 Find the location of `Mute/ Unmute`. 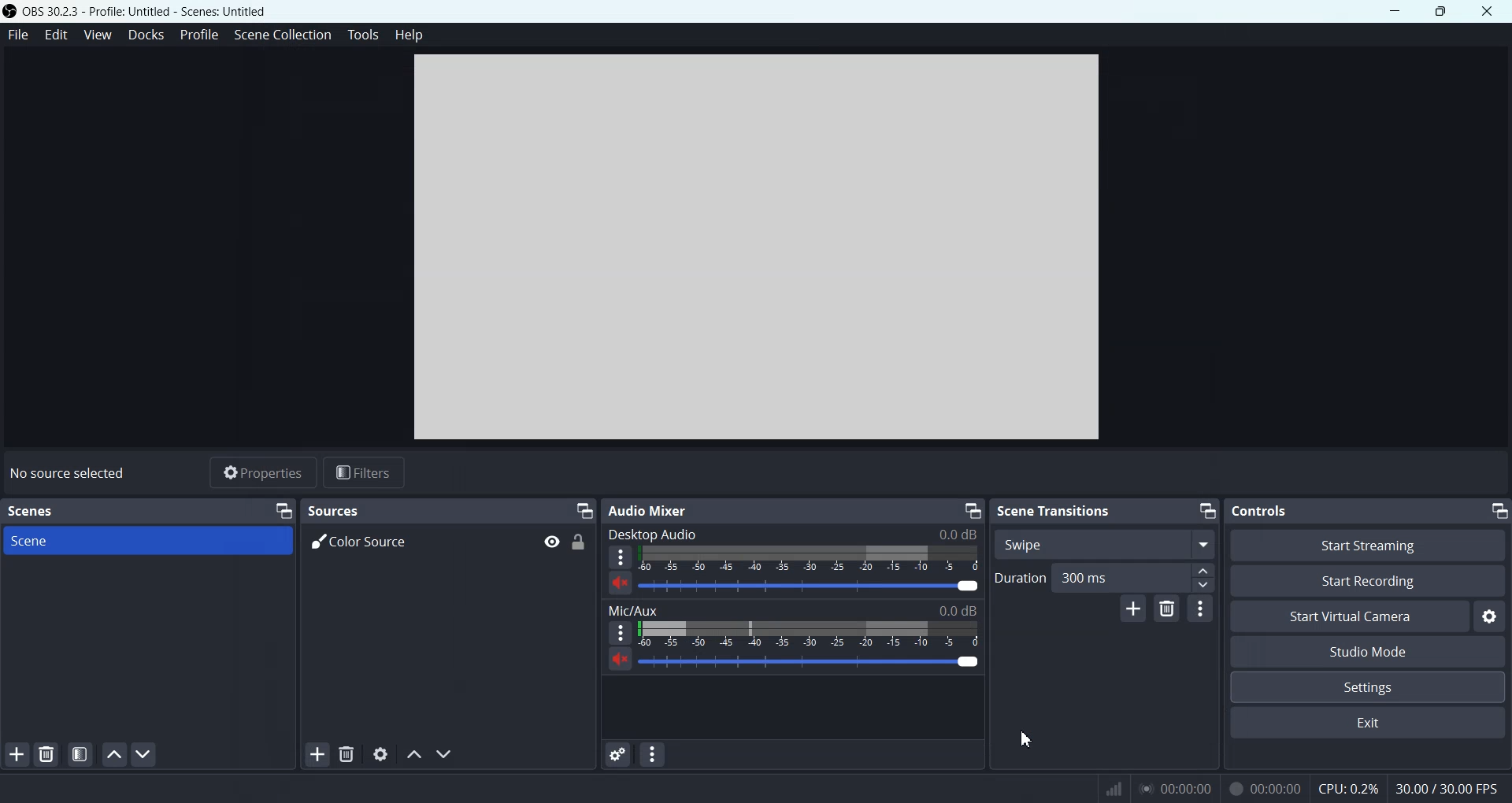

Mute/ Unmute is located at coordinates (620, 658).